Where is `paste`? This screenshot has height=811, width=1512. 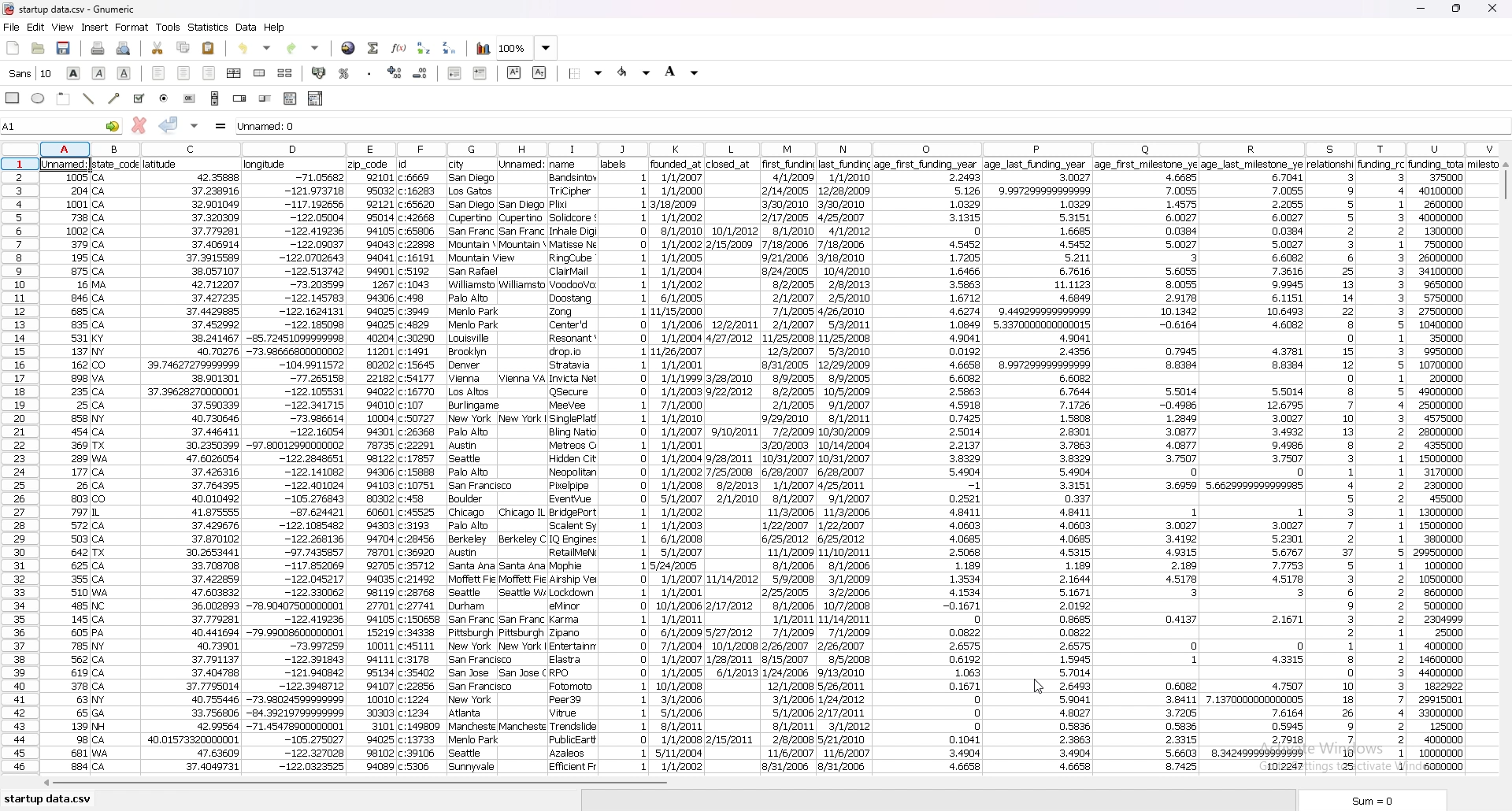 paste is located at coordinates (209, 47).